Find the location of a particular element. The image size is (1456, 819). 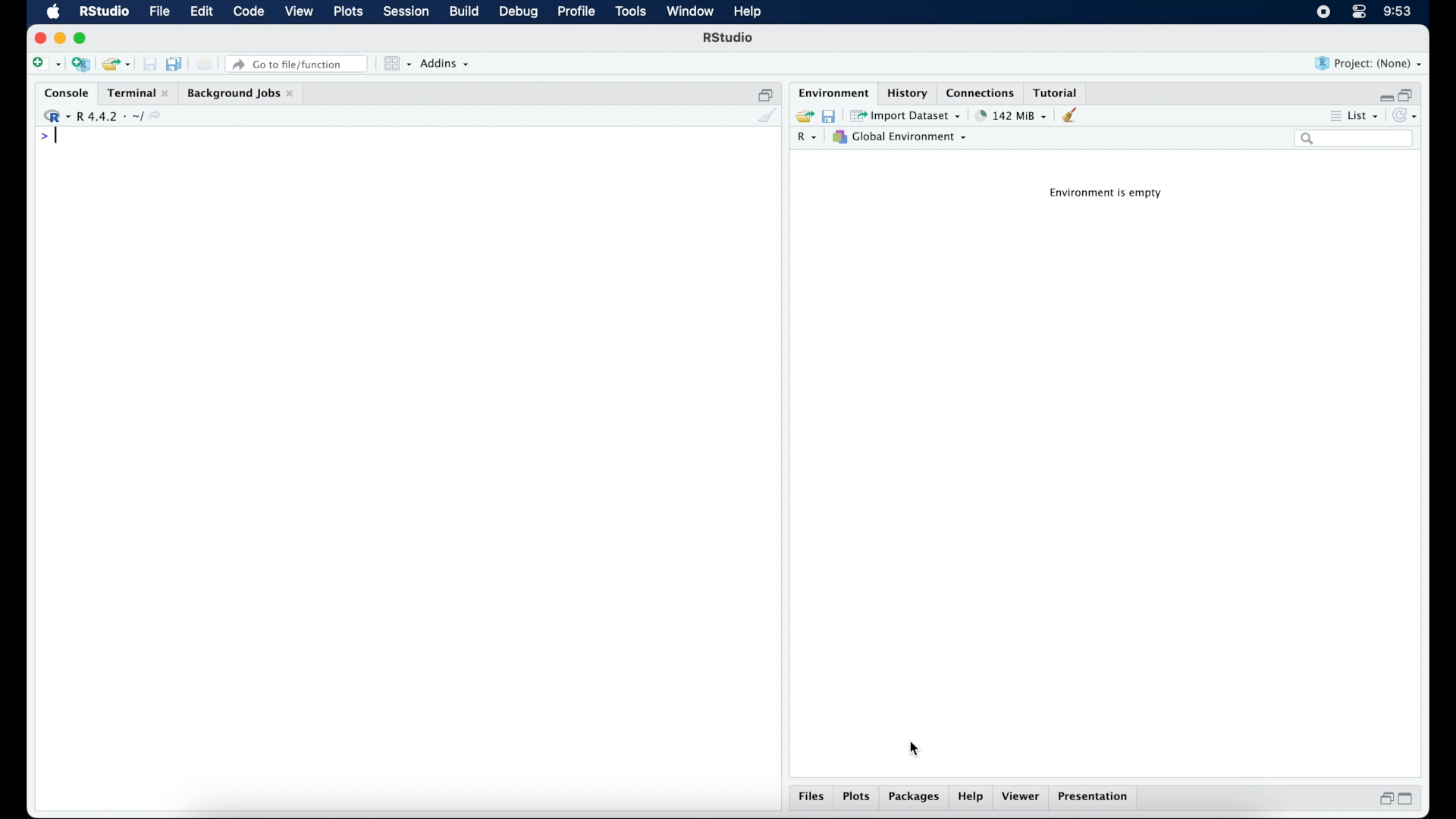

terminal is located at coordinates (136, 91).